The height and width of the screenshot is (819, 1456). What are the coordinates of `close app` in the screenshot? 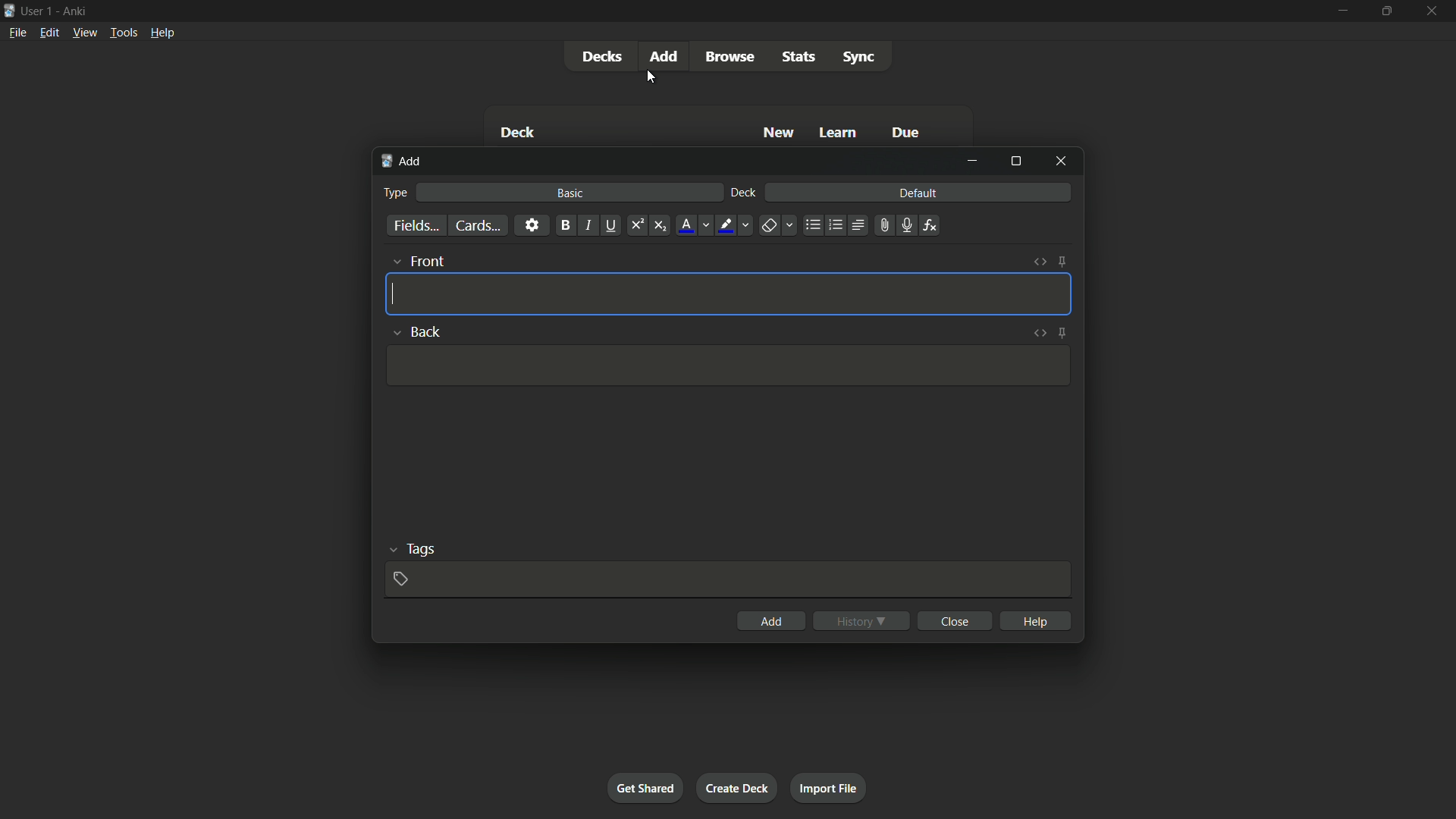 It's located at (1433, 11).